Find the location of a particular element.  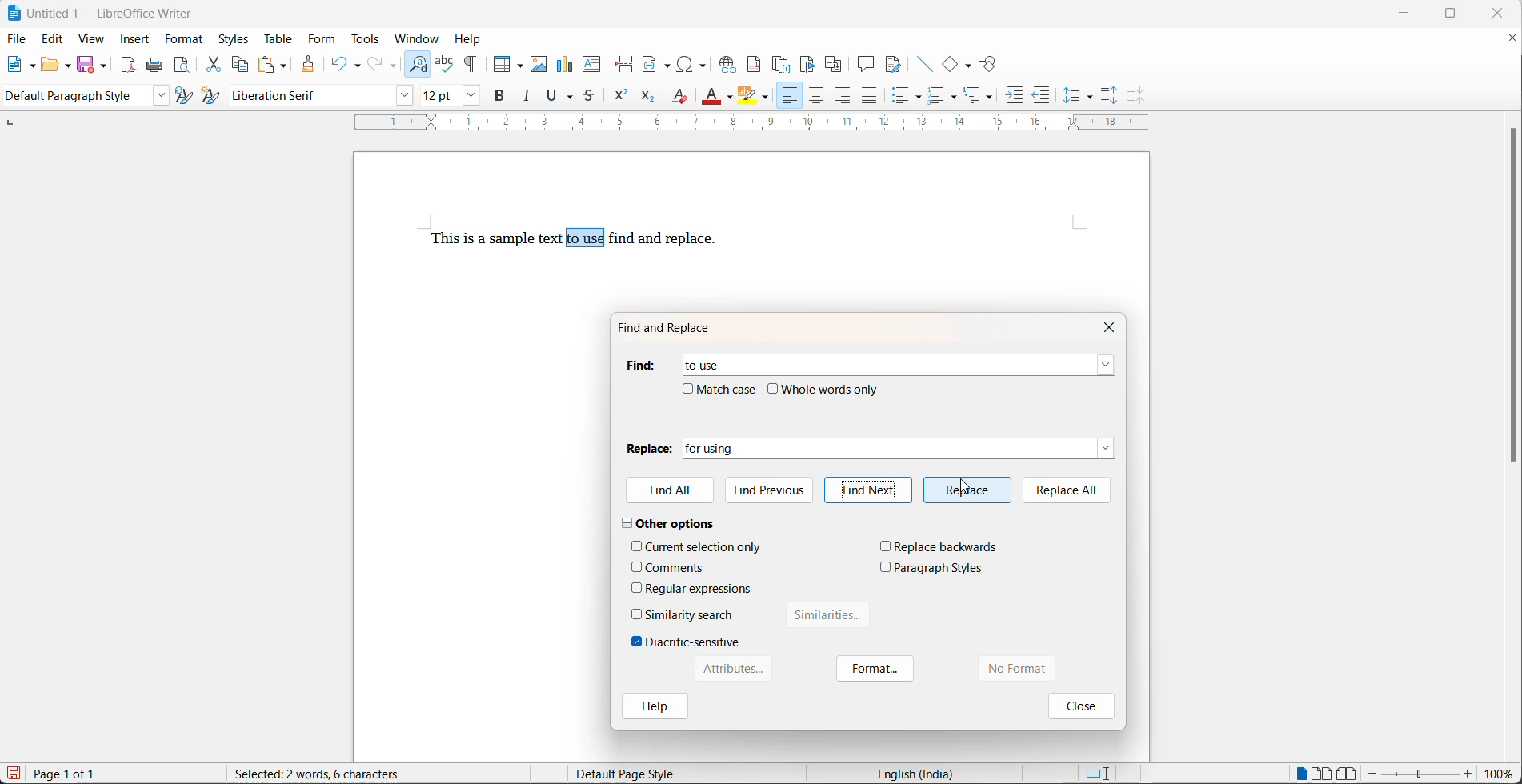

paste is located at coordinates (267, 64).